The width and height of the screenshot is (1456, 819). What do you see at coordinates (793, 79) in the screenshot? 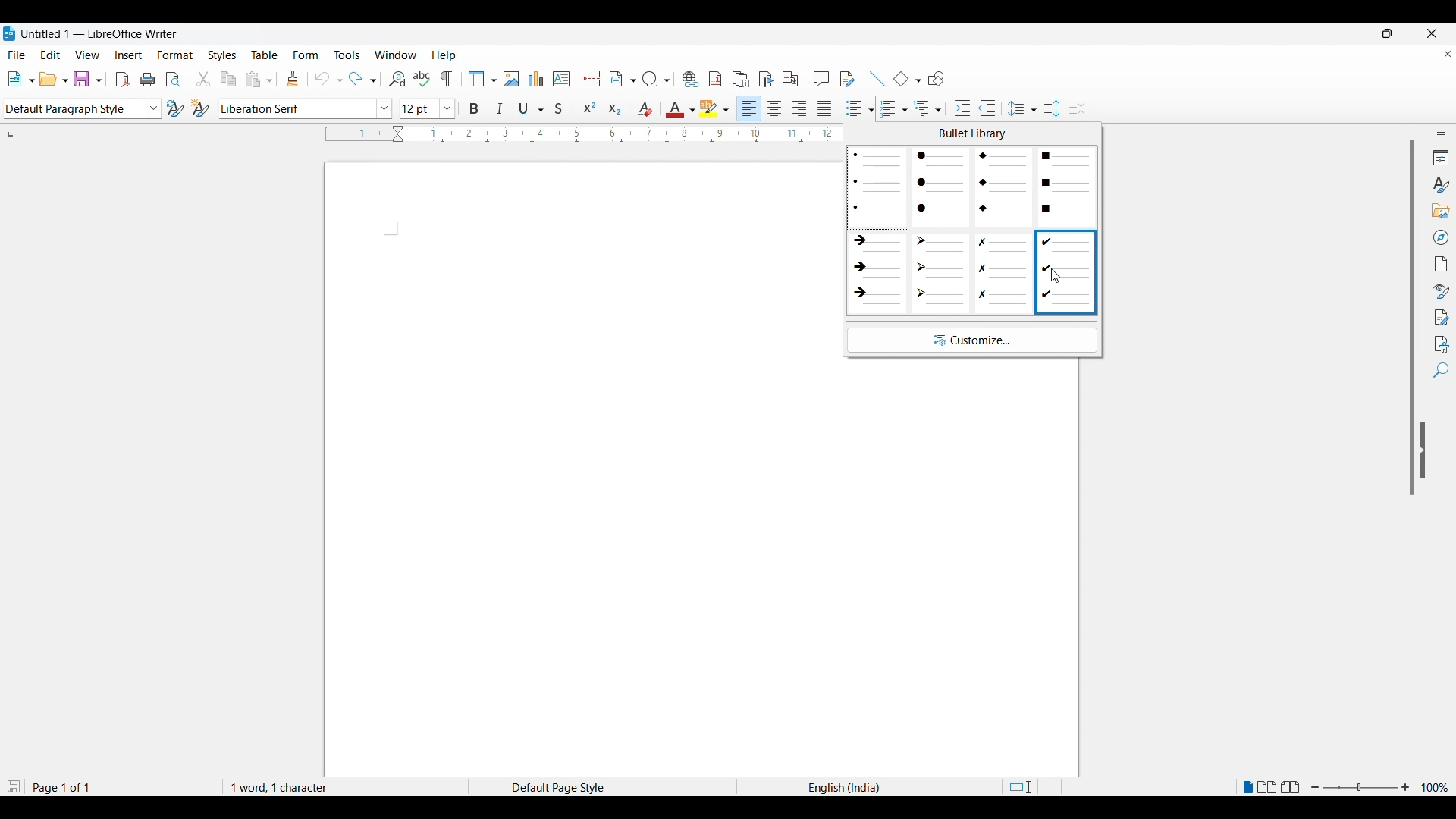
I see `insert cross references` at bounding box center [793, 79].